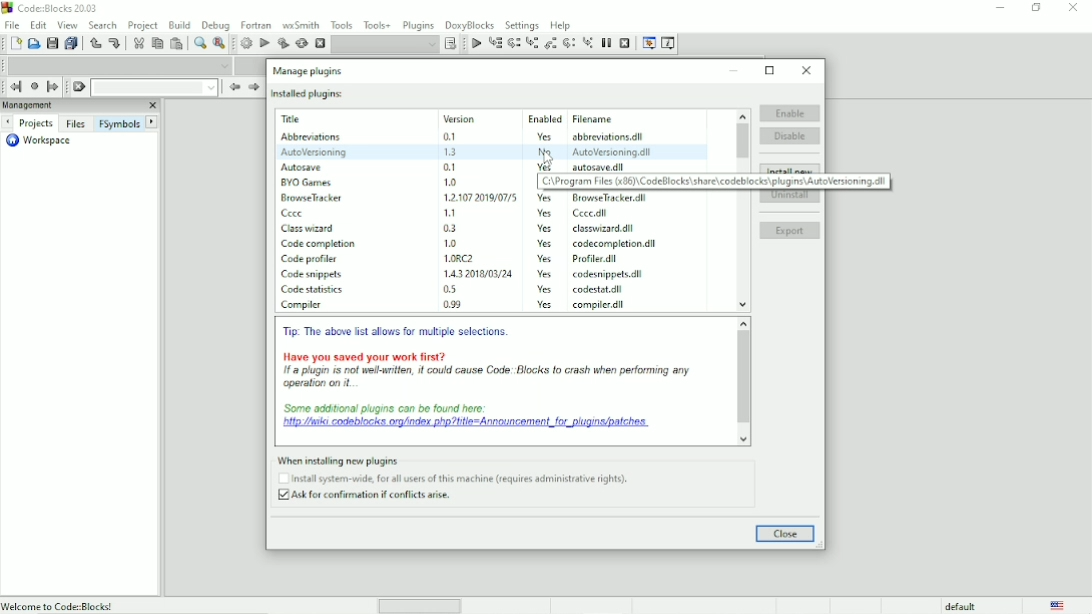 This screenshot has width=1092, height=614. What do you see at coordinates (544, 136) in the screenshot?
I see `Yes` at bounding box center [544, 136].